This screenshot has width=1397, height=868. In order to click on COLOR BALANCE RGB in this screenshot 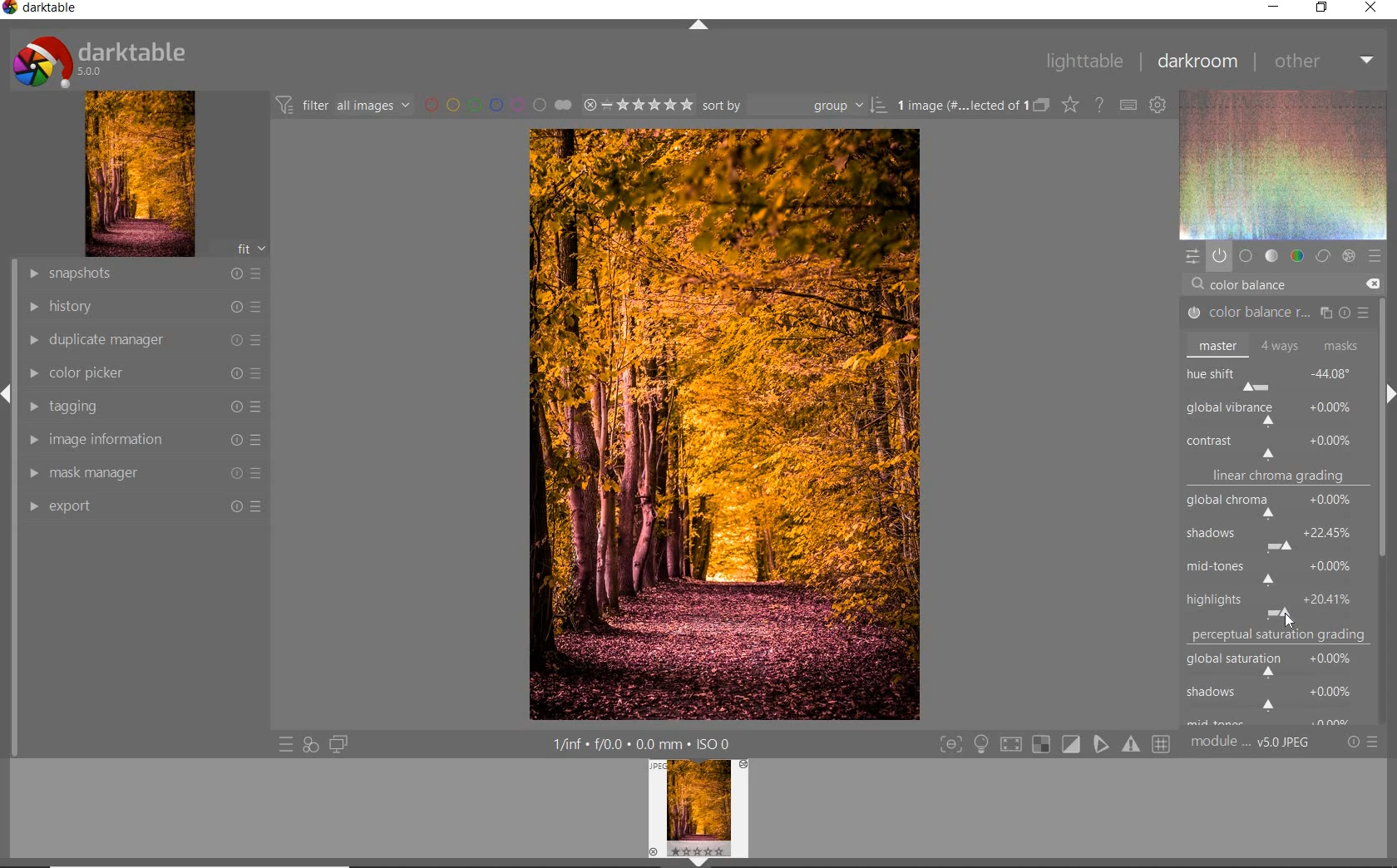, I will do `click(1273, 313)`.